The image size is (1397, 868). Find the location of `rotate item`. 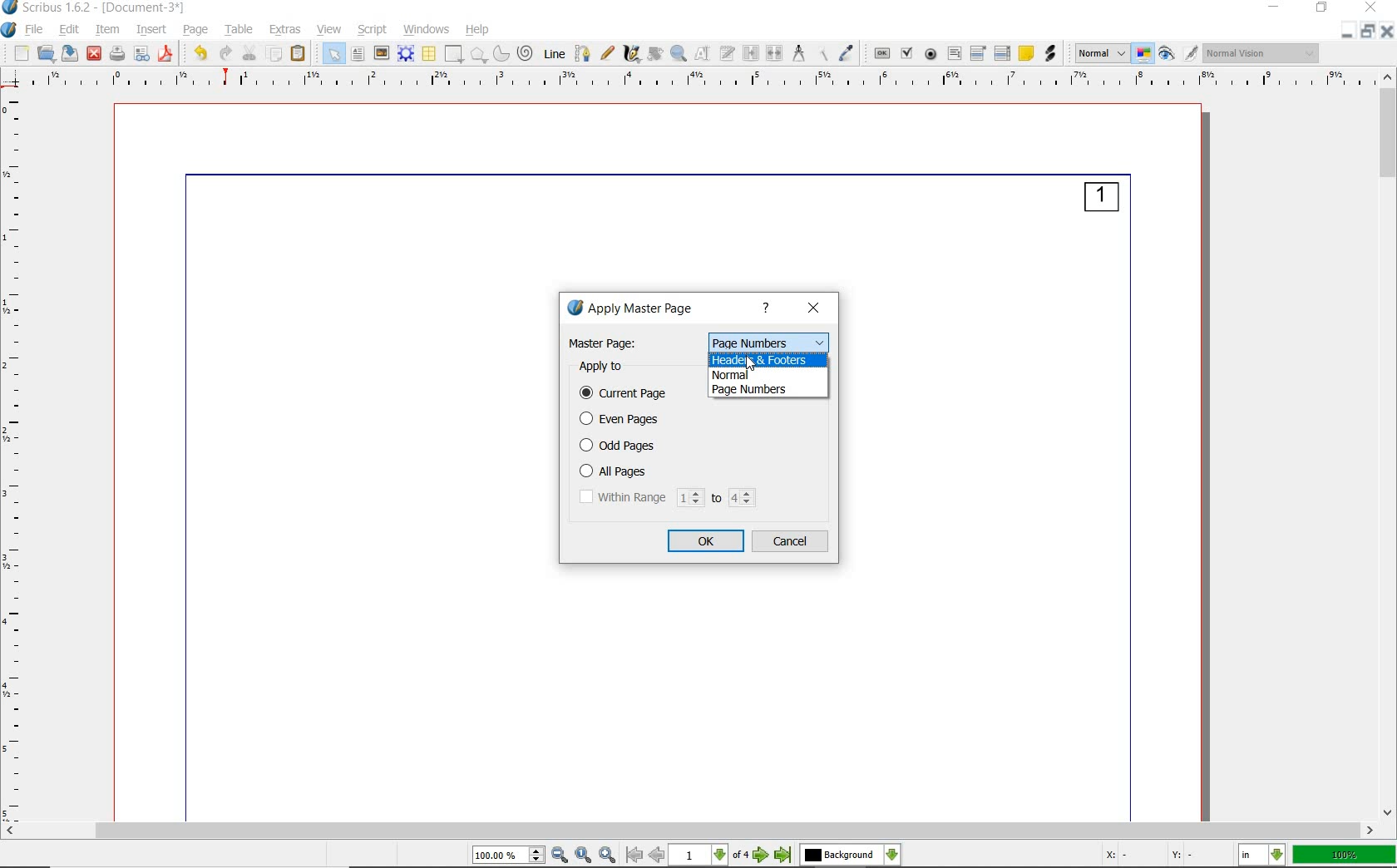

rotate item is located at coordinates (654, 54).